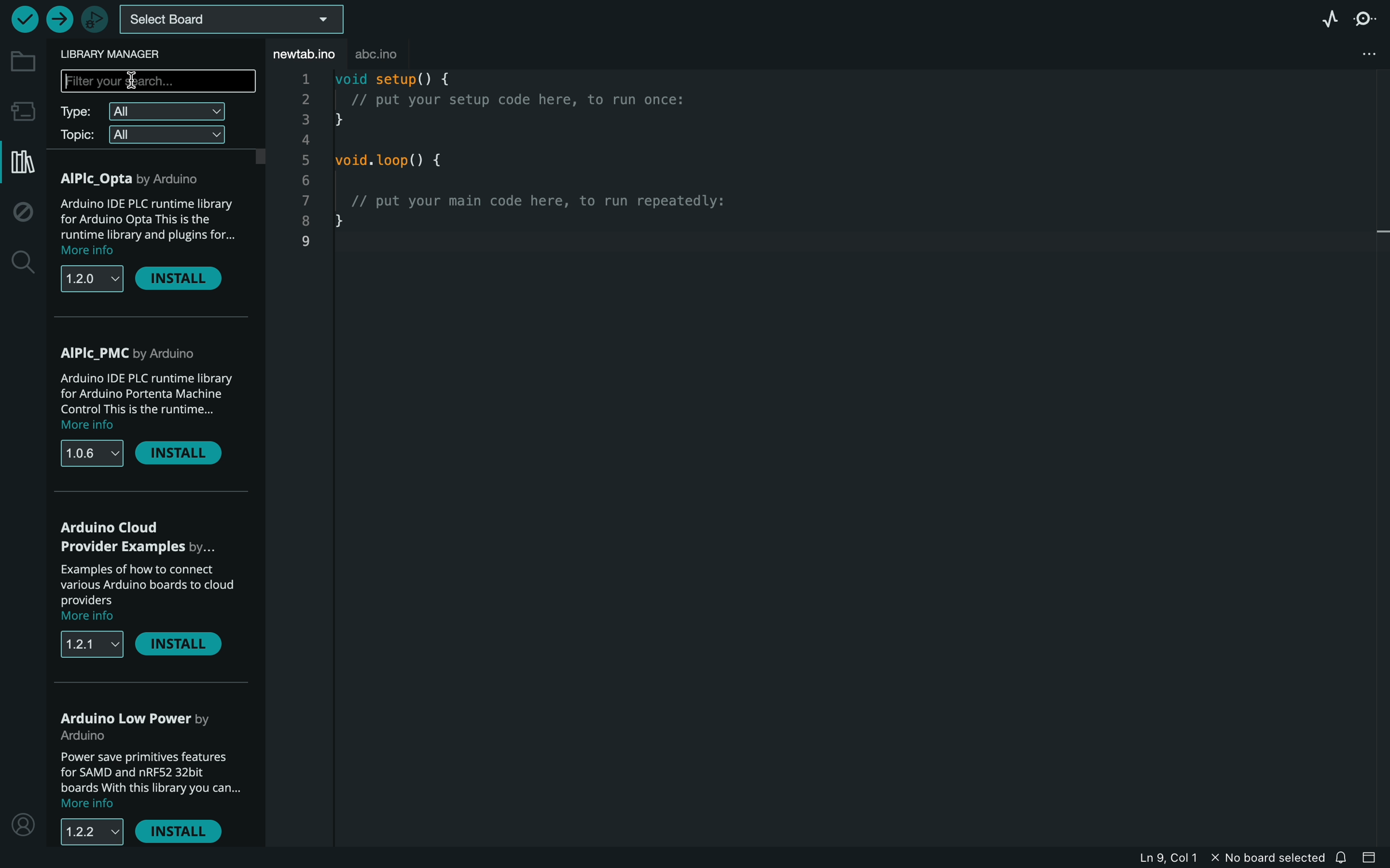  What do you see at coordinates (1366, 52) in the screenshot?
I see `files setting` at bounding box center [1366, 52].